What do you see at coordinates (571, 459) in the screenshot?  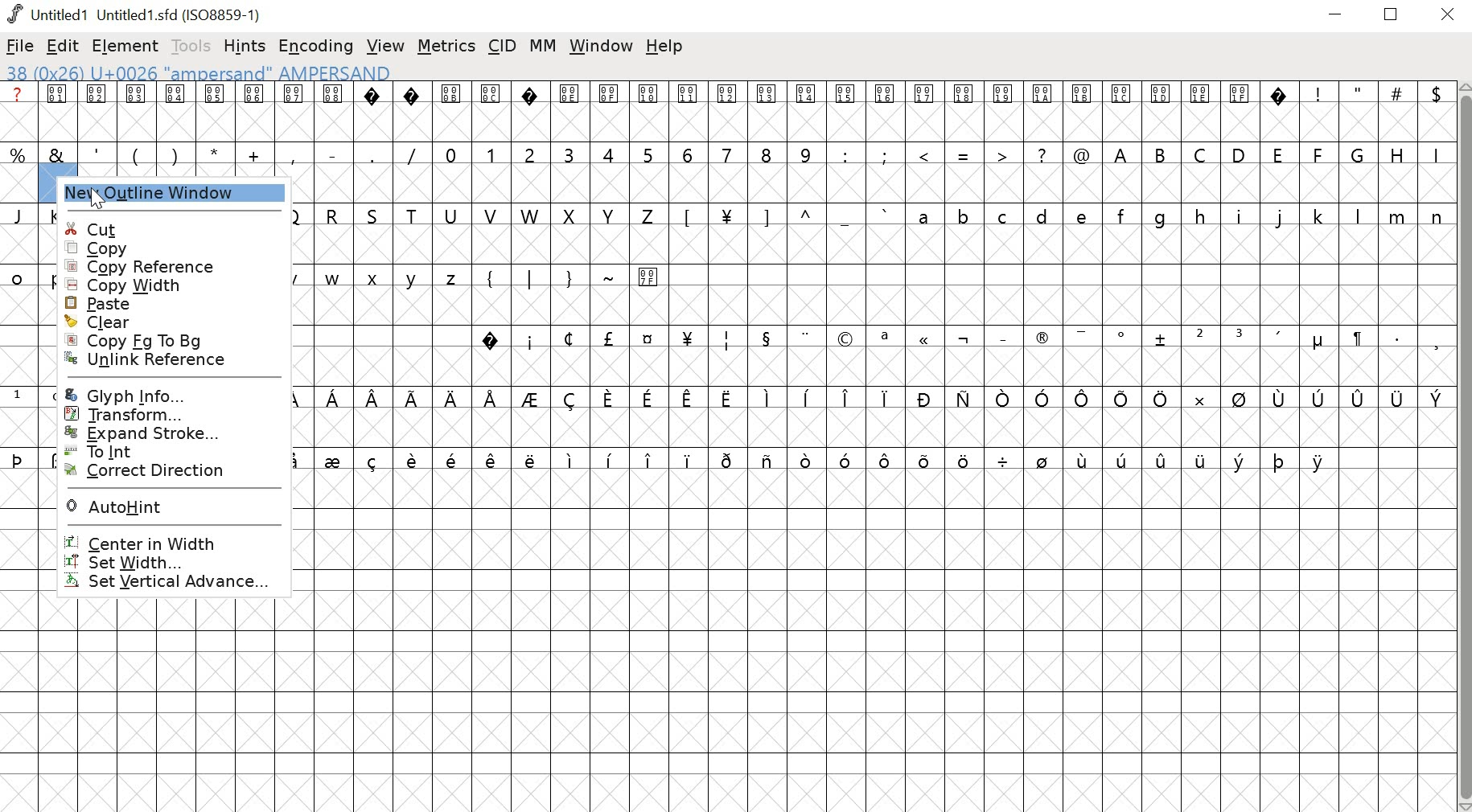 I see `symbol` at bounding box center [571, 459].